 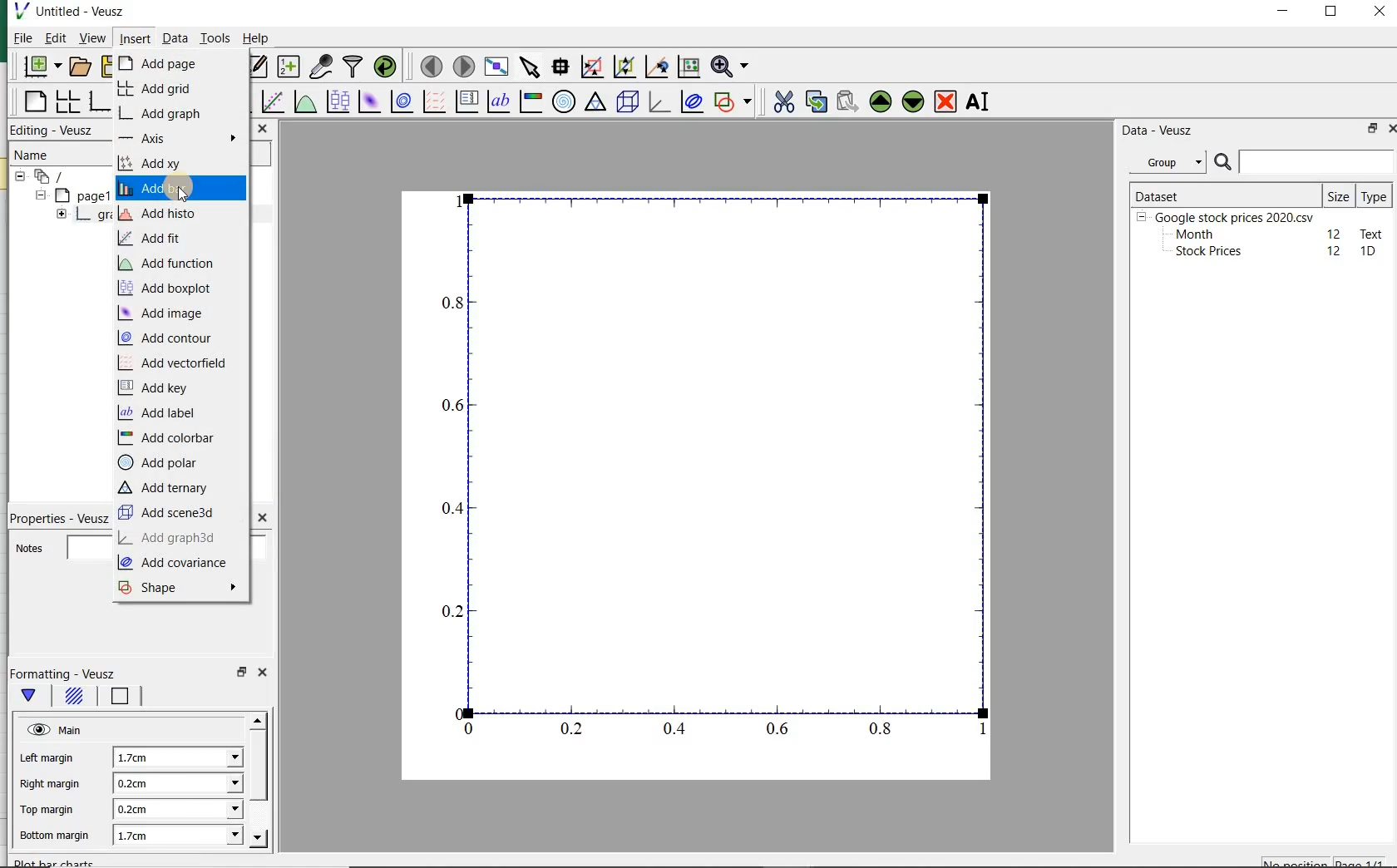 I want to click on 1.7cm, so click(x=176, y=834).